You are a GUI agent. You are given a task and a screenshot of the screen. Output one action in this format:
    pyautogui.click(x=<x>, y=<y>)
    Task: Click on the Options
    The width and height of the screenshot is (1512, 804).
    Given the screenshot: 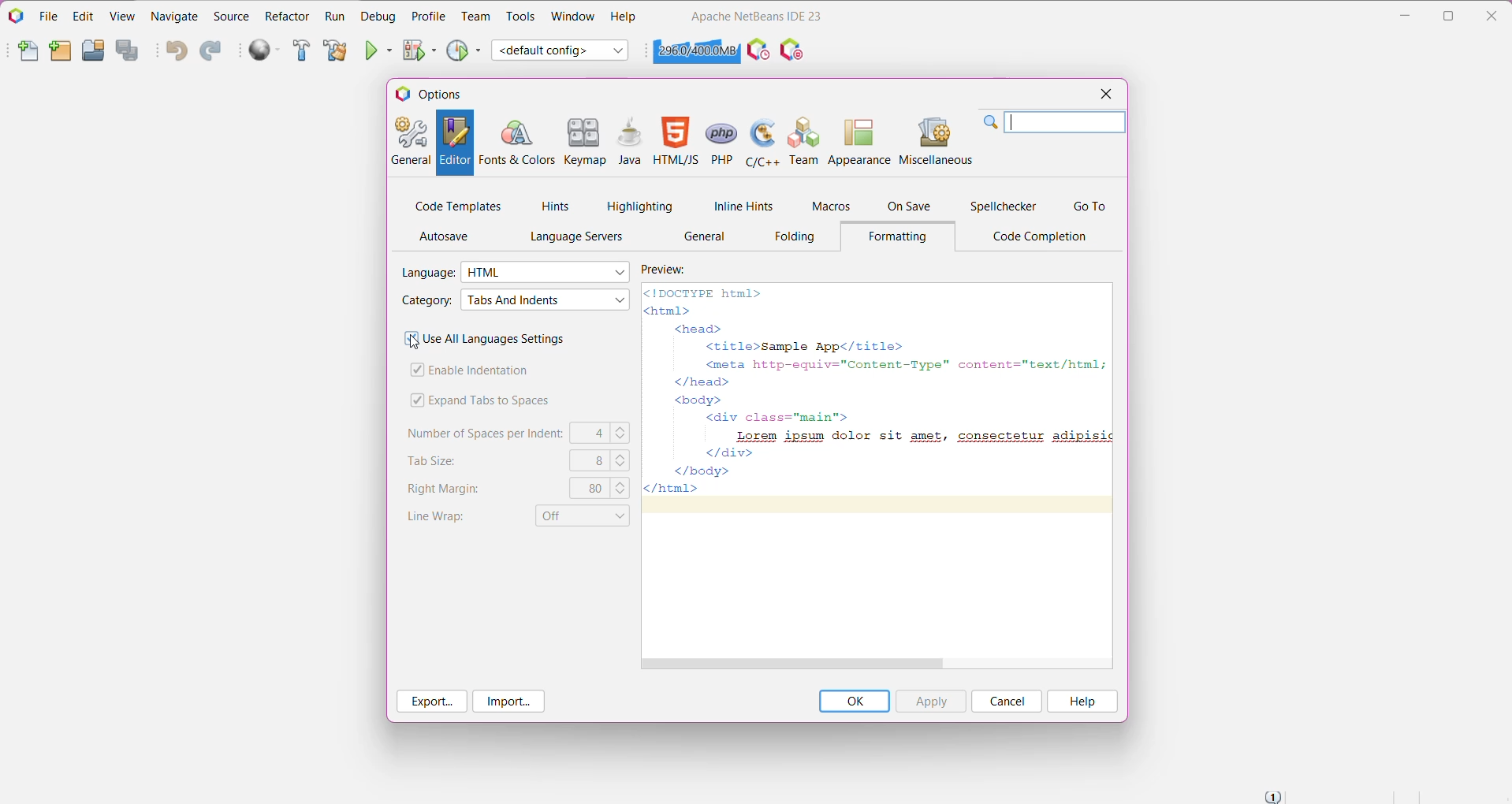 What is the action you would take?
    pyautogui.click(x=435, y=94)
    